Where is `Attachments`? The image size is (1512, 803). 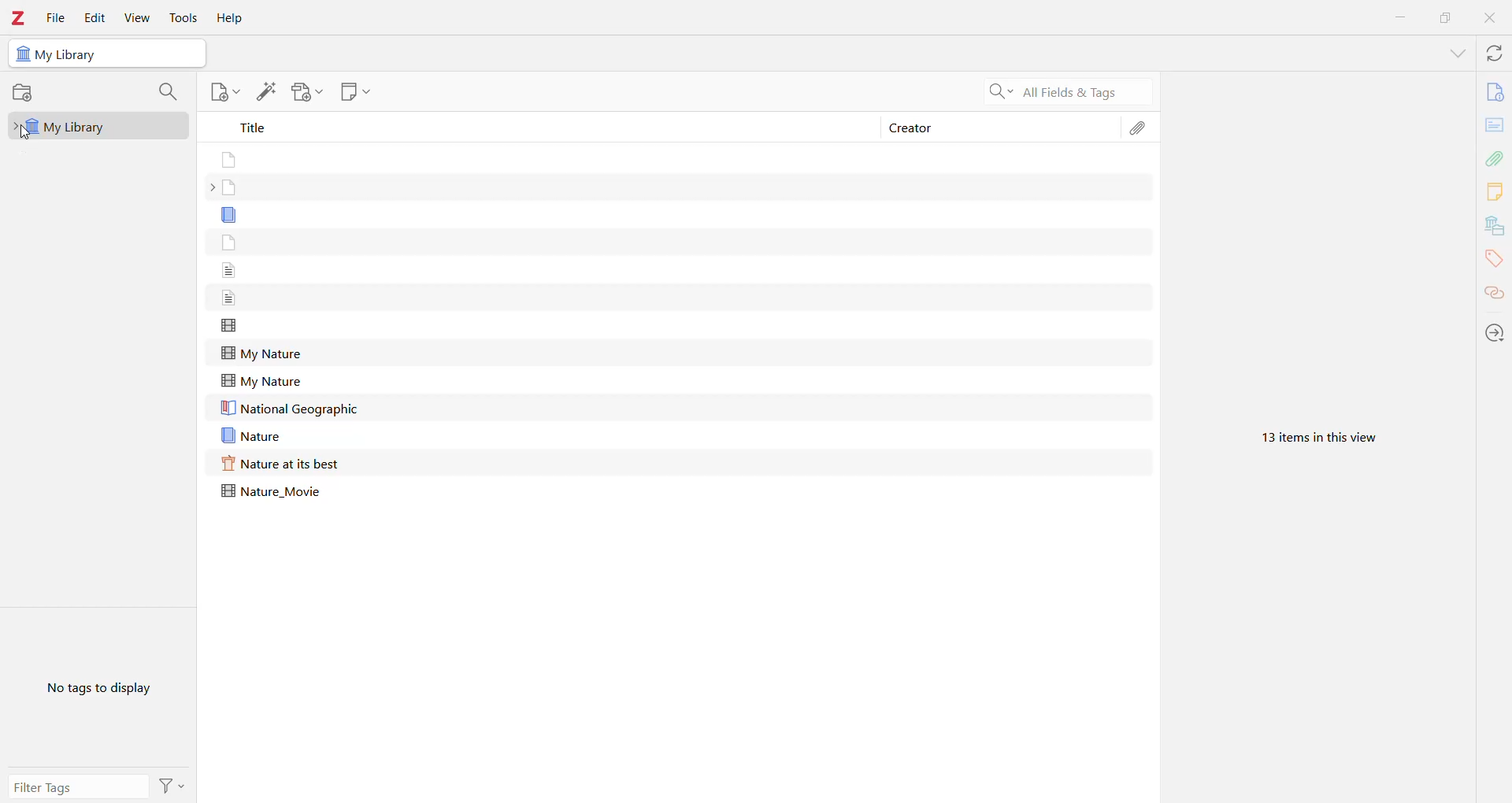
Attachments is located at coordinates (1141, 128).